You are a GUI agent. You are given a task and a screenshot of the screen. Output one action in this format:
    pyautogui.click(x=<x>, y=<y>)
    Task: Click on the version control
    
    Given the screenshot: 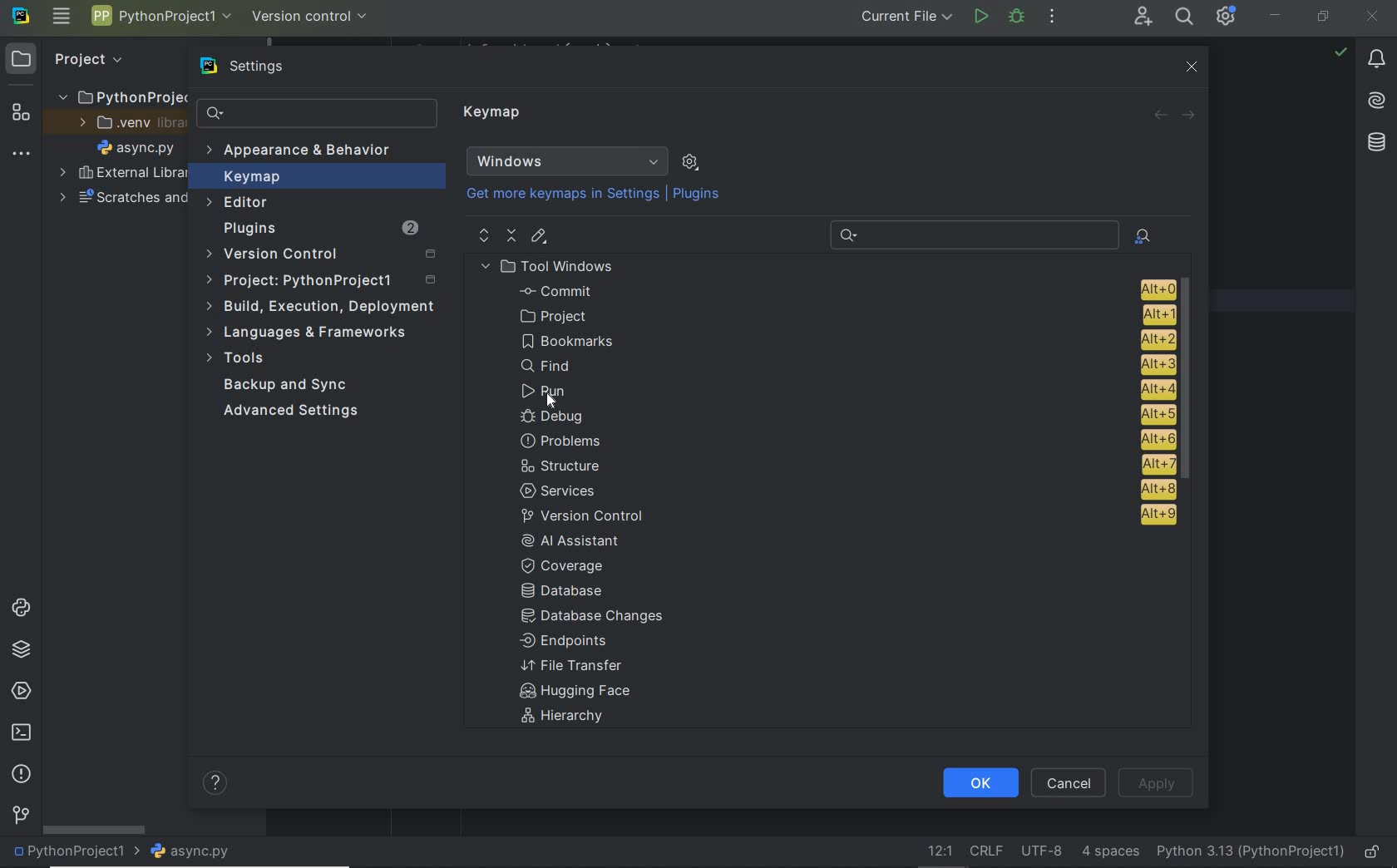 What is the action you would take?
    pyautogui.click(x=21, y=816)
    